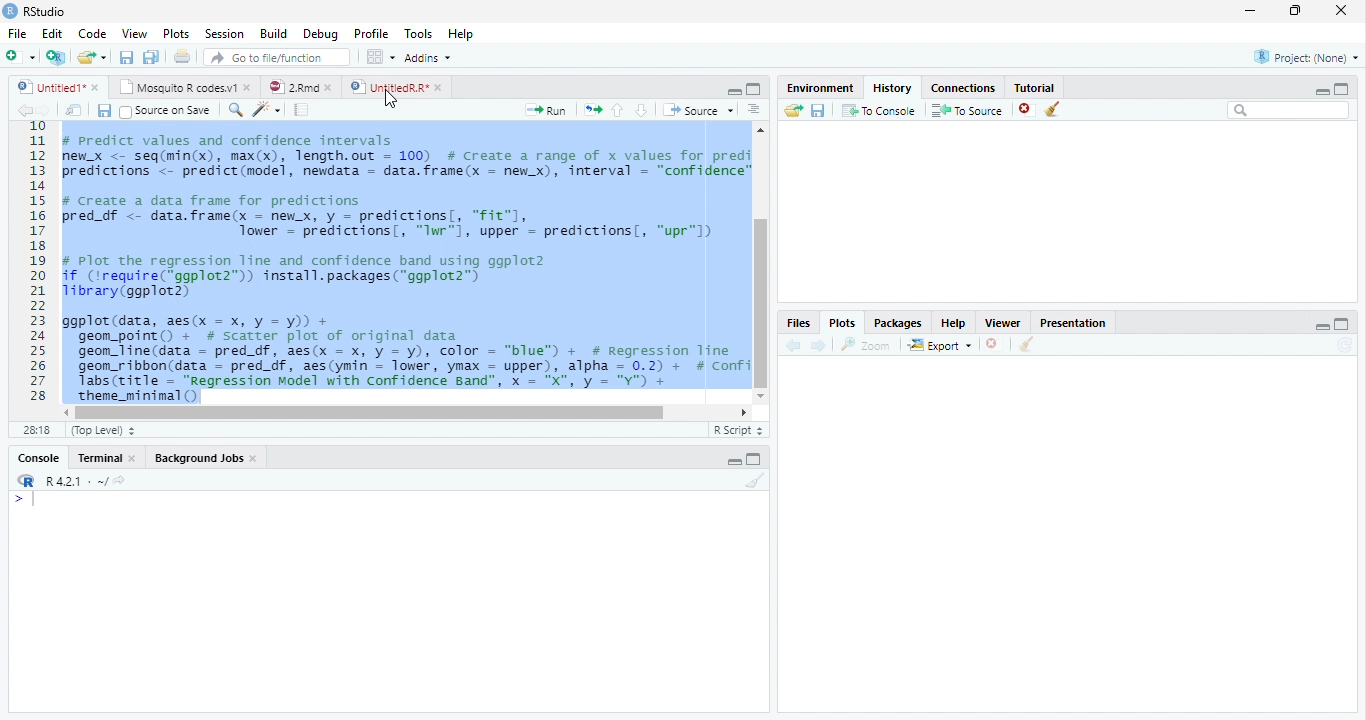 This screenshot has height=720, width=1366. What do you see at coordinates (793, 113) in the screenshot?
I see `Load workspace` at bounding box center [793, 113].